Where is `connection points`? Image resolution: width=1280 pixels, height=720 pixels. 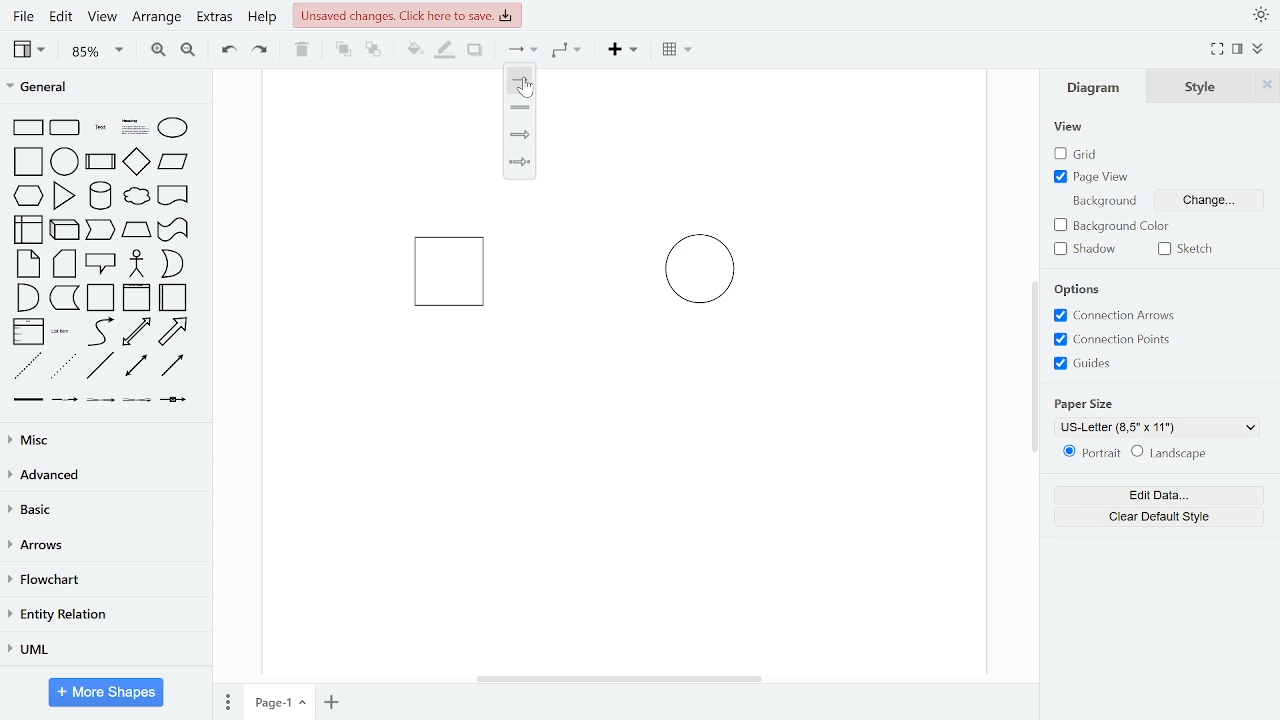 connection points is located at coordinates (1112, 339).